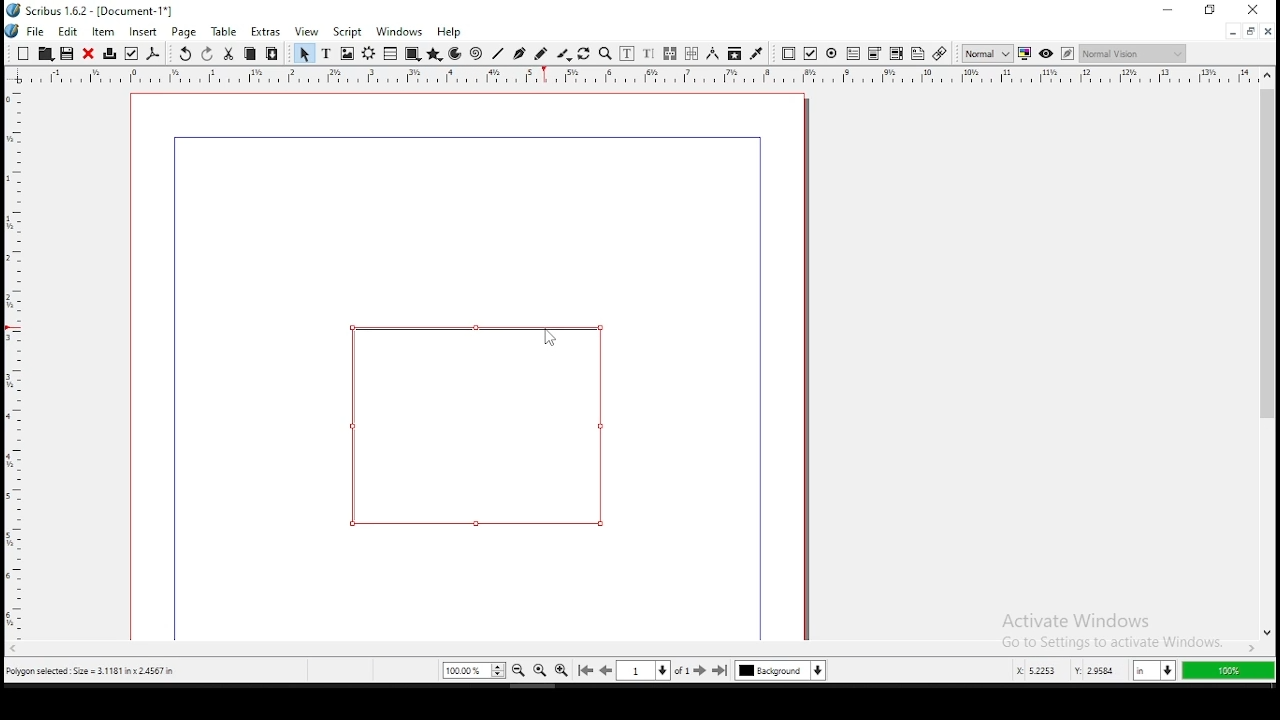  Describe the element at coordinates (701, 671) in the screenshot. I see `go to next page` at that location.